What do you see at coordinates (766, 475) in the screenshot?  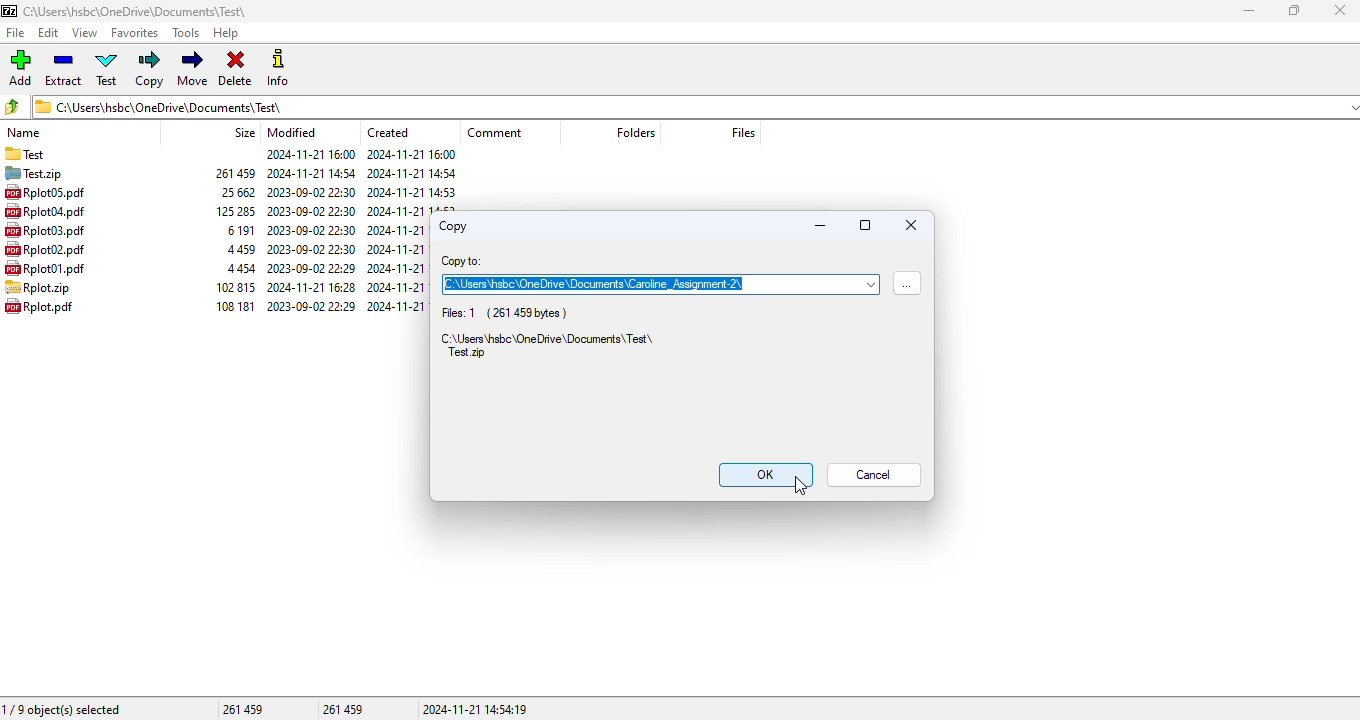 I see `OK` at bounding box center [766, 475].